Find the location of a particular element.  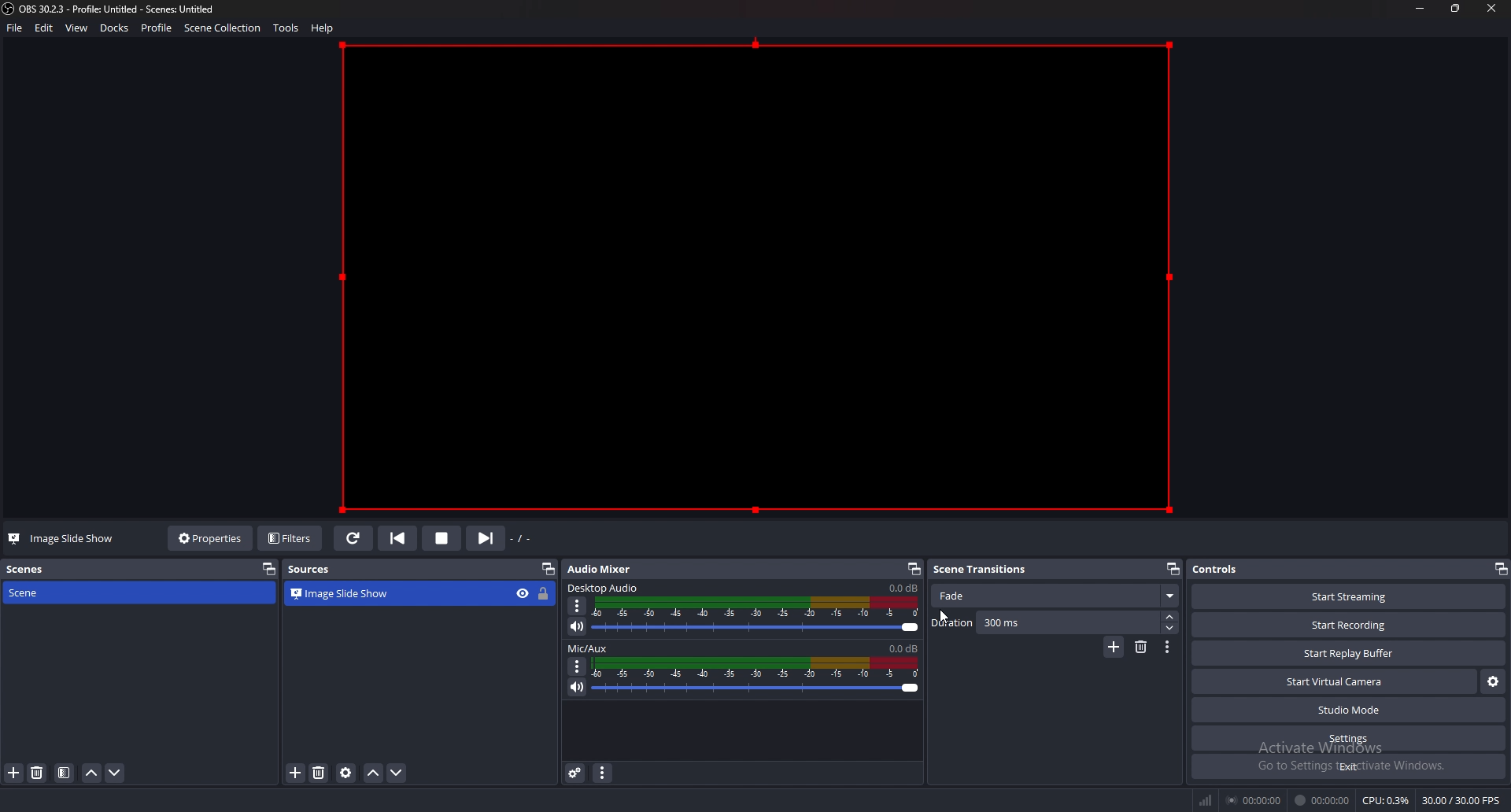

scene is located at coordinates (54, 593).